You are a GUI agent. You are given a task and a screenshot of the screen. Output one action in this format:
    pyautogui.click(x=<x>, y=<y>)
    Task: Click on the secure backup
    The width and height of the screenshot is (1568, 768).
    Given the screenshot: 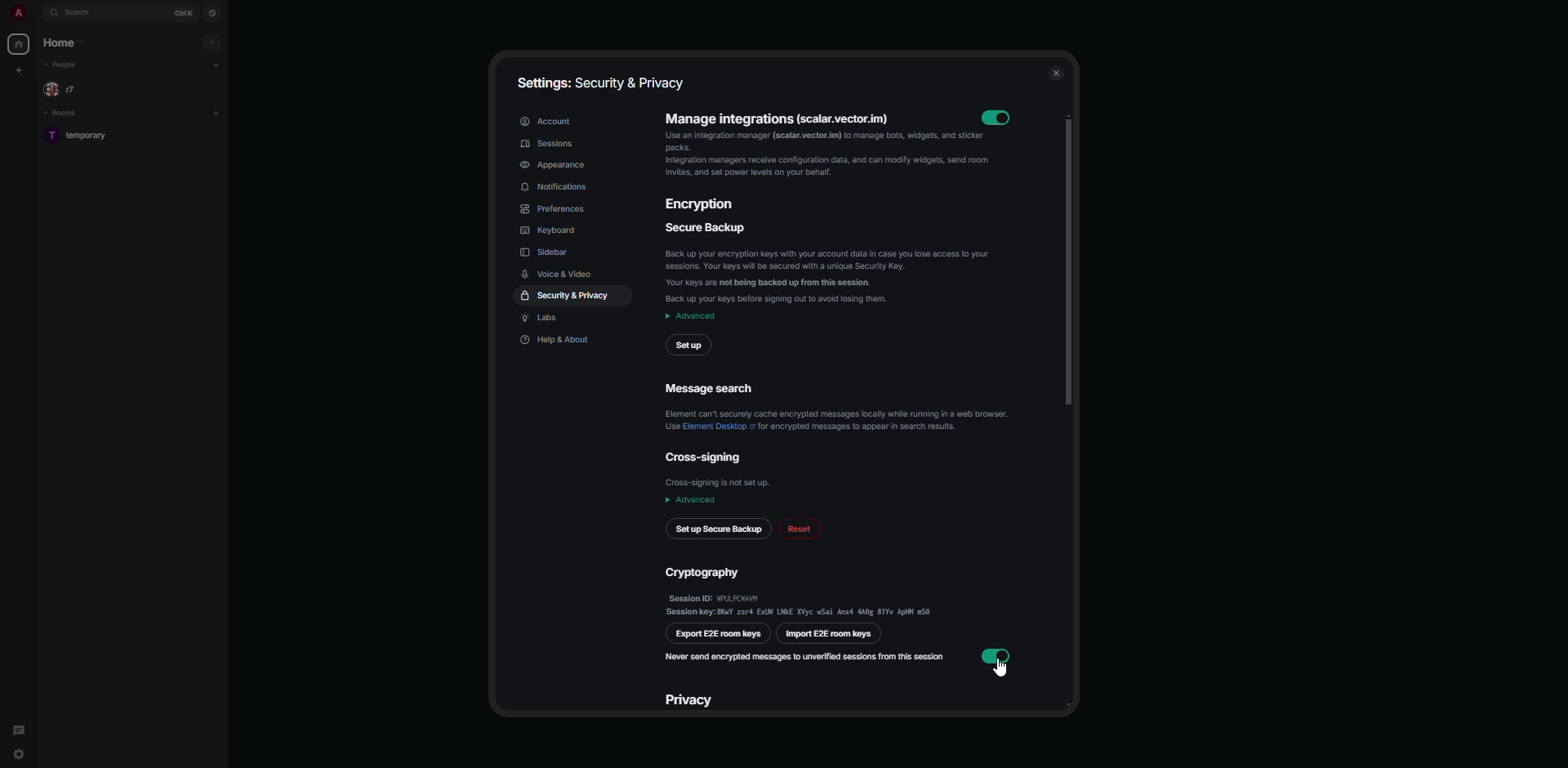 What is the action you would take?
    pyautogui.click(x=834, y=263)
    